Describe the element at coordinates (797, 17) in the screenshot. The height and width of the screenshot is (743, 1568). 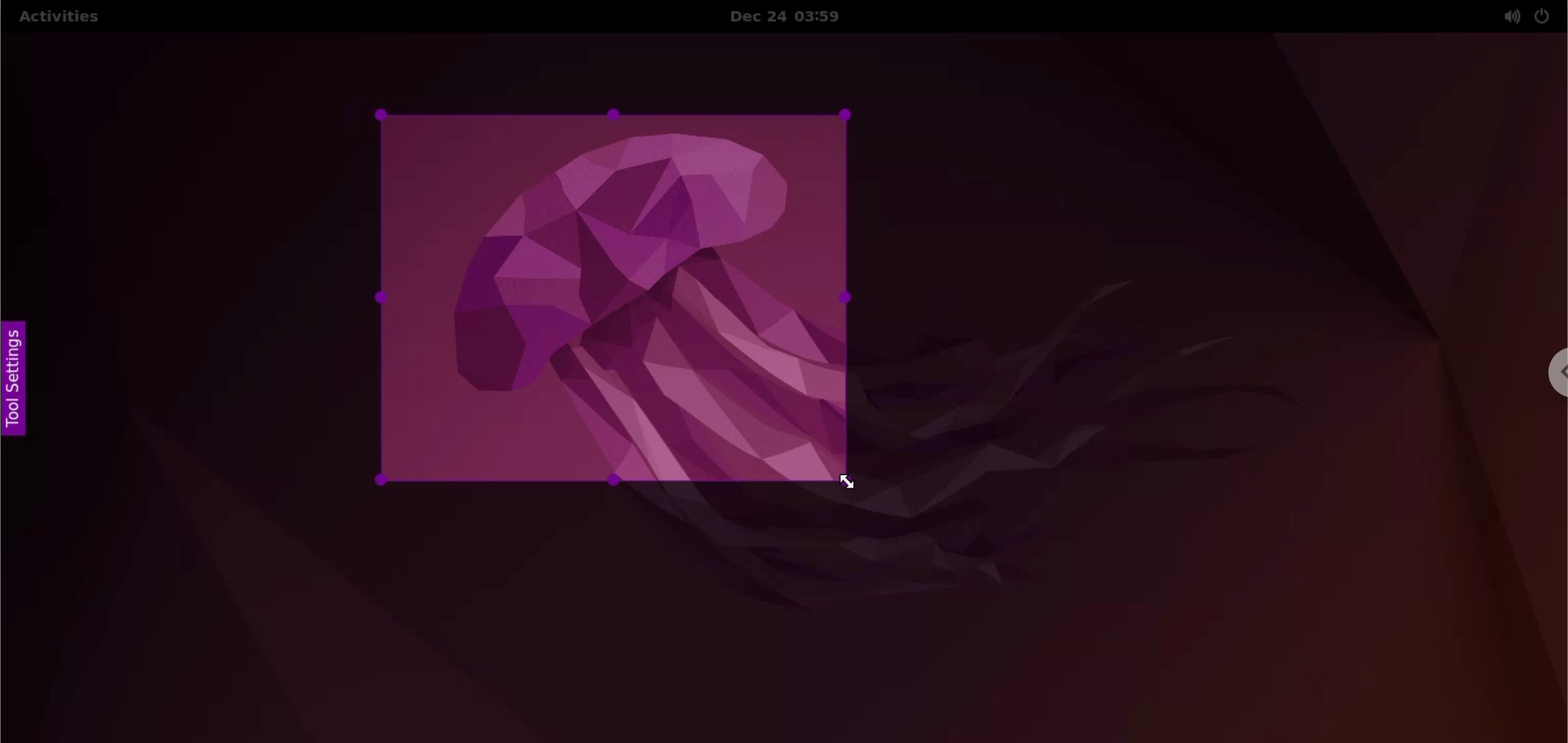
I see `Date and time` at that location.